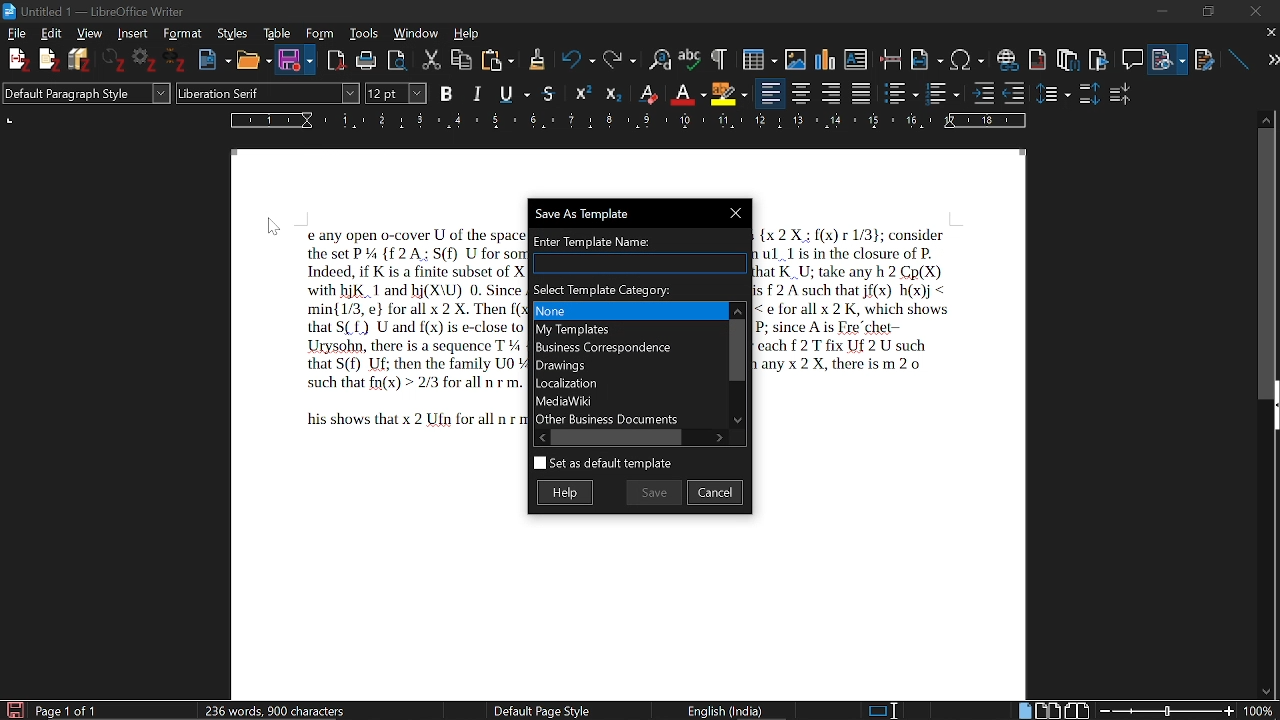  Describe the element at coordinates (613, 93) in the screenshot. I see `` at that location.